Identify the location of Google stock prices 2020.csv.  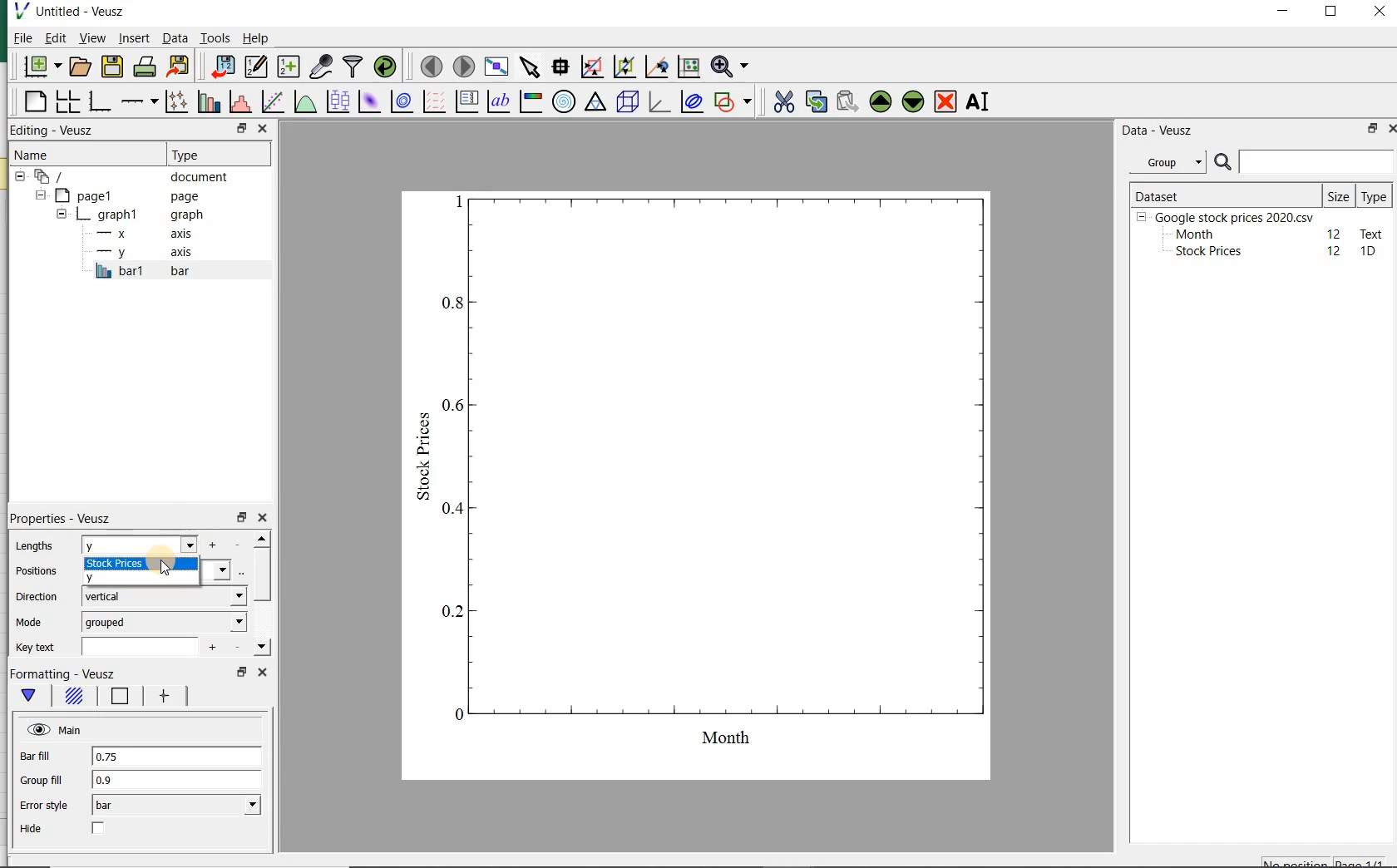
(1228, 216).